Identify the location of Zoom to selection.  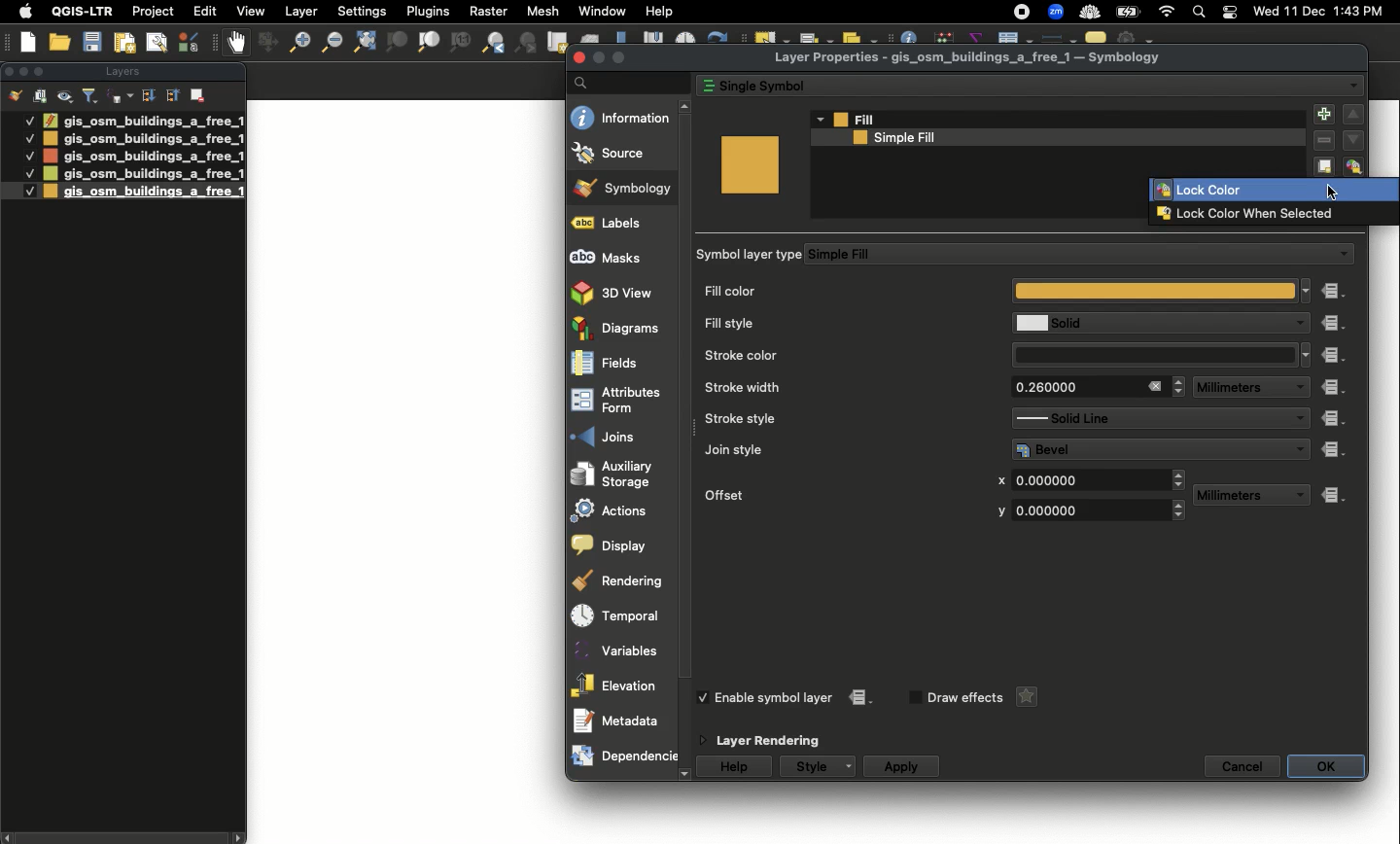
(397, 43).